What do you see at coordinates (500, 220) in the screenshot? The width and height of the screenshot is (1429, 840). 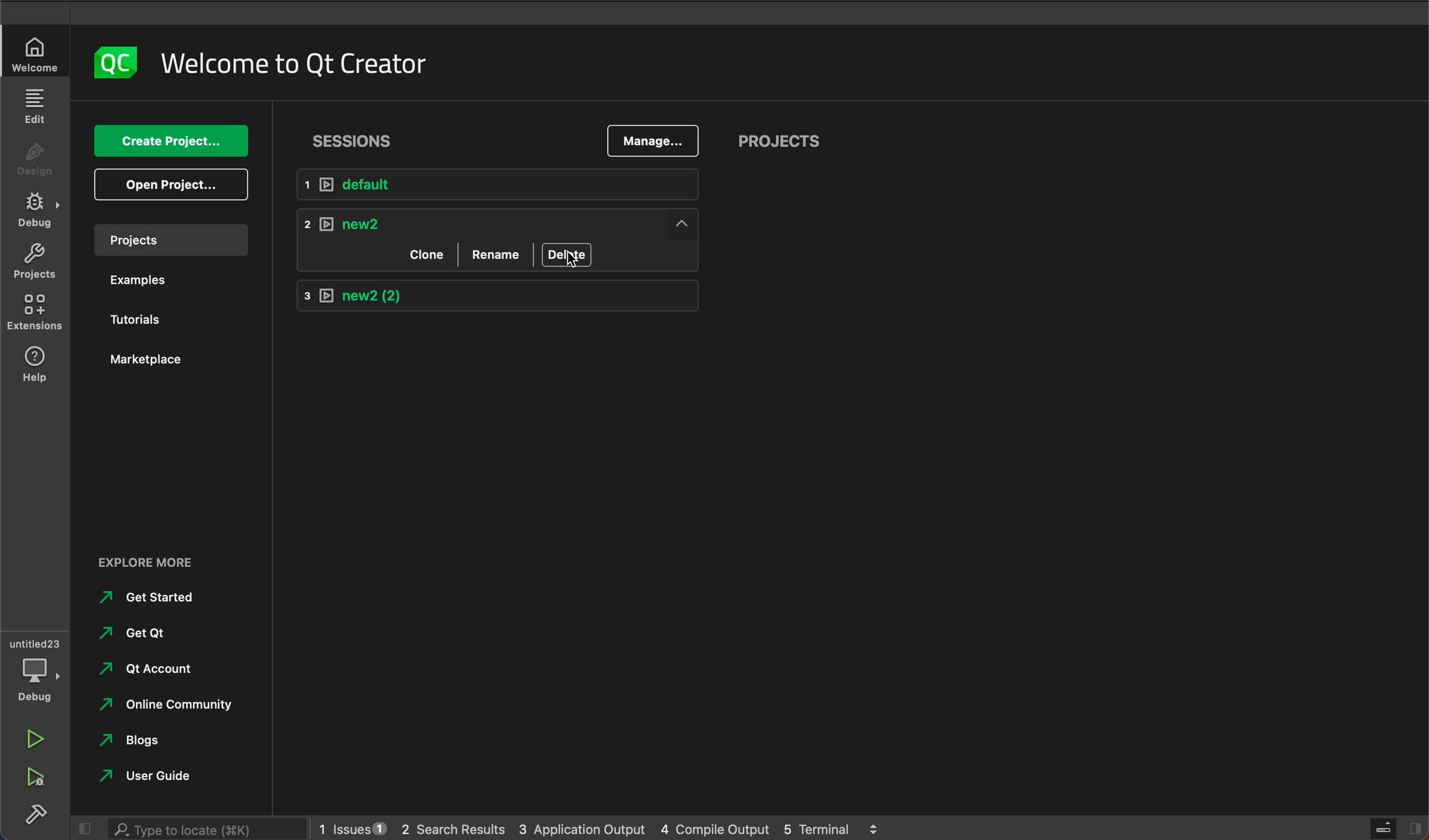 I see `new2` at bounding box center [500, 220].